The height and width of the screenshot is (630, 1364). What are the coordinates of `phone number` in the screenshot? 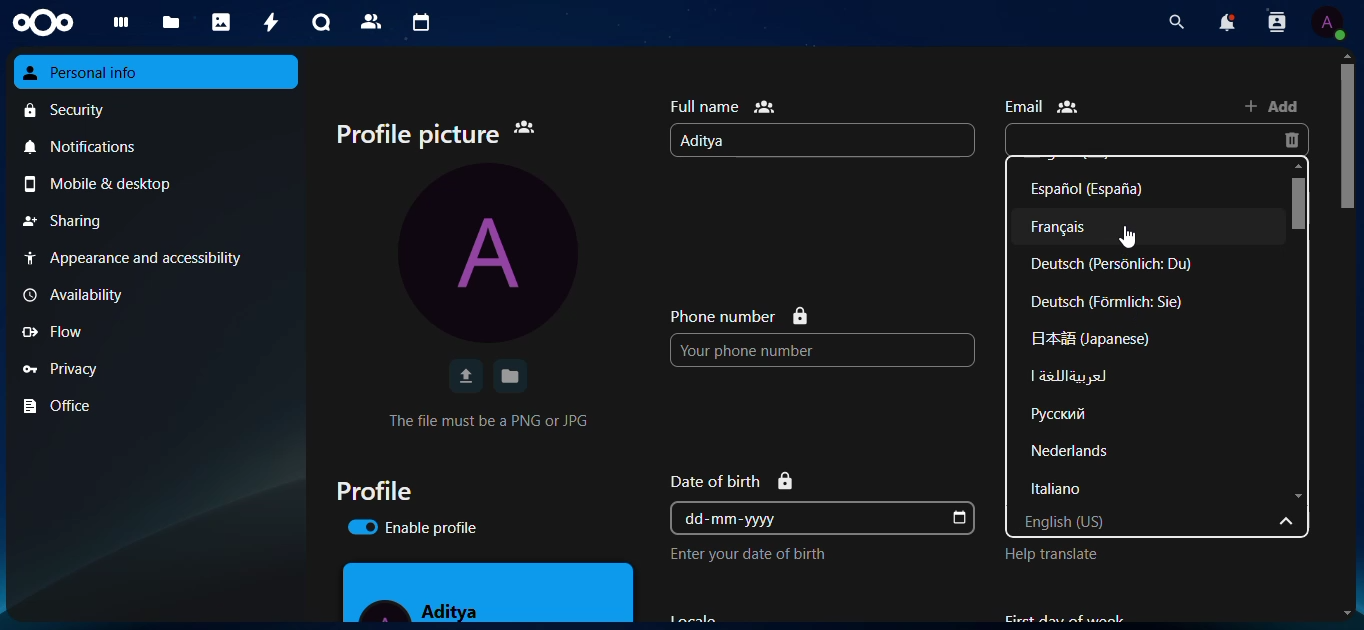 It's located at (739, 315).